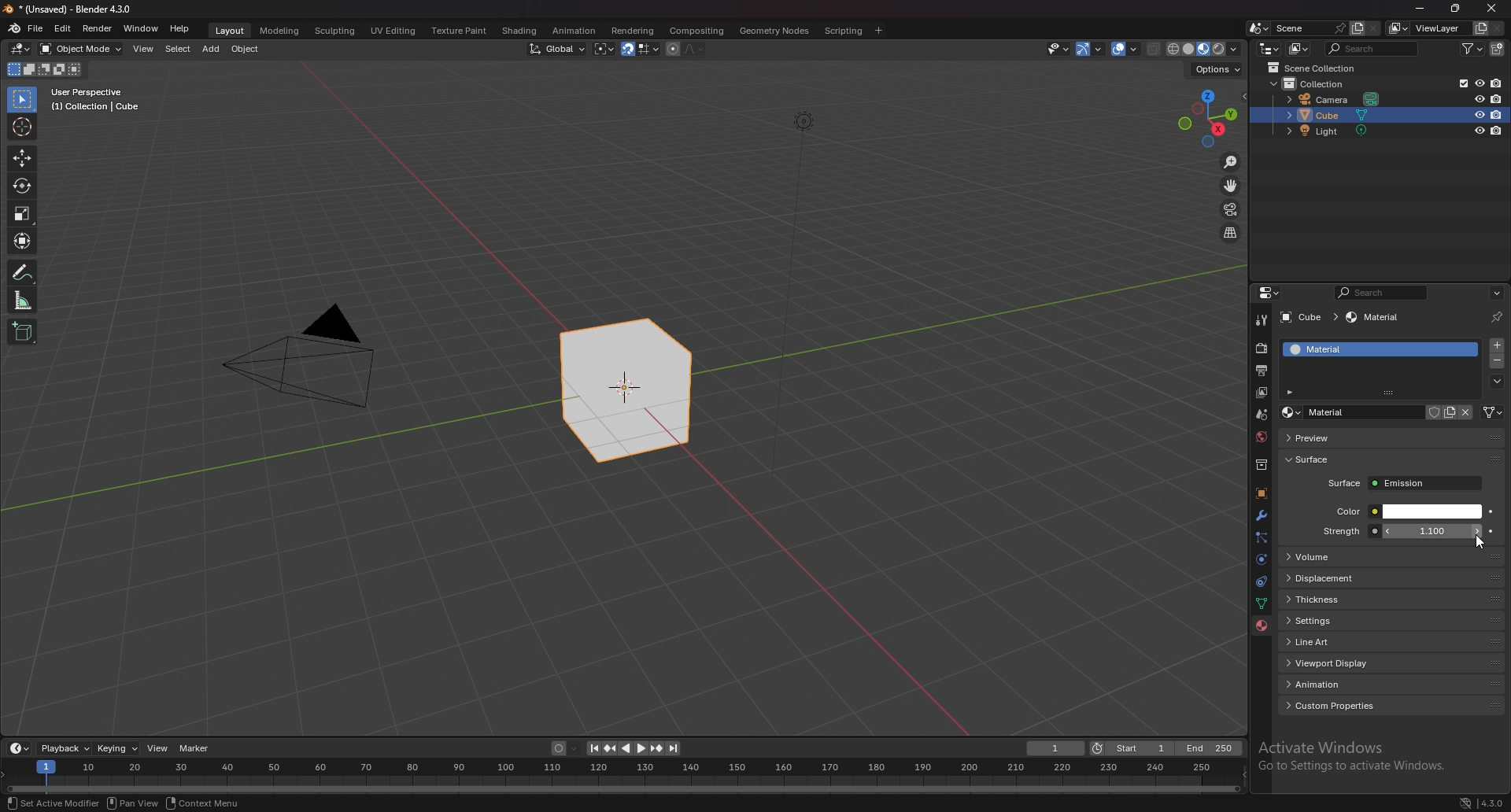  Describe the element at coordinates (1230, 233) in the screenshot. I see `perspective/orthographic mode` at that location.